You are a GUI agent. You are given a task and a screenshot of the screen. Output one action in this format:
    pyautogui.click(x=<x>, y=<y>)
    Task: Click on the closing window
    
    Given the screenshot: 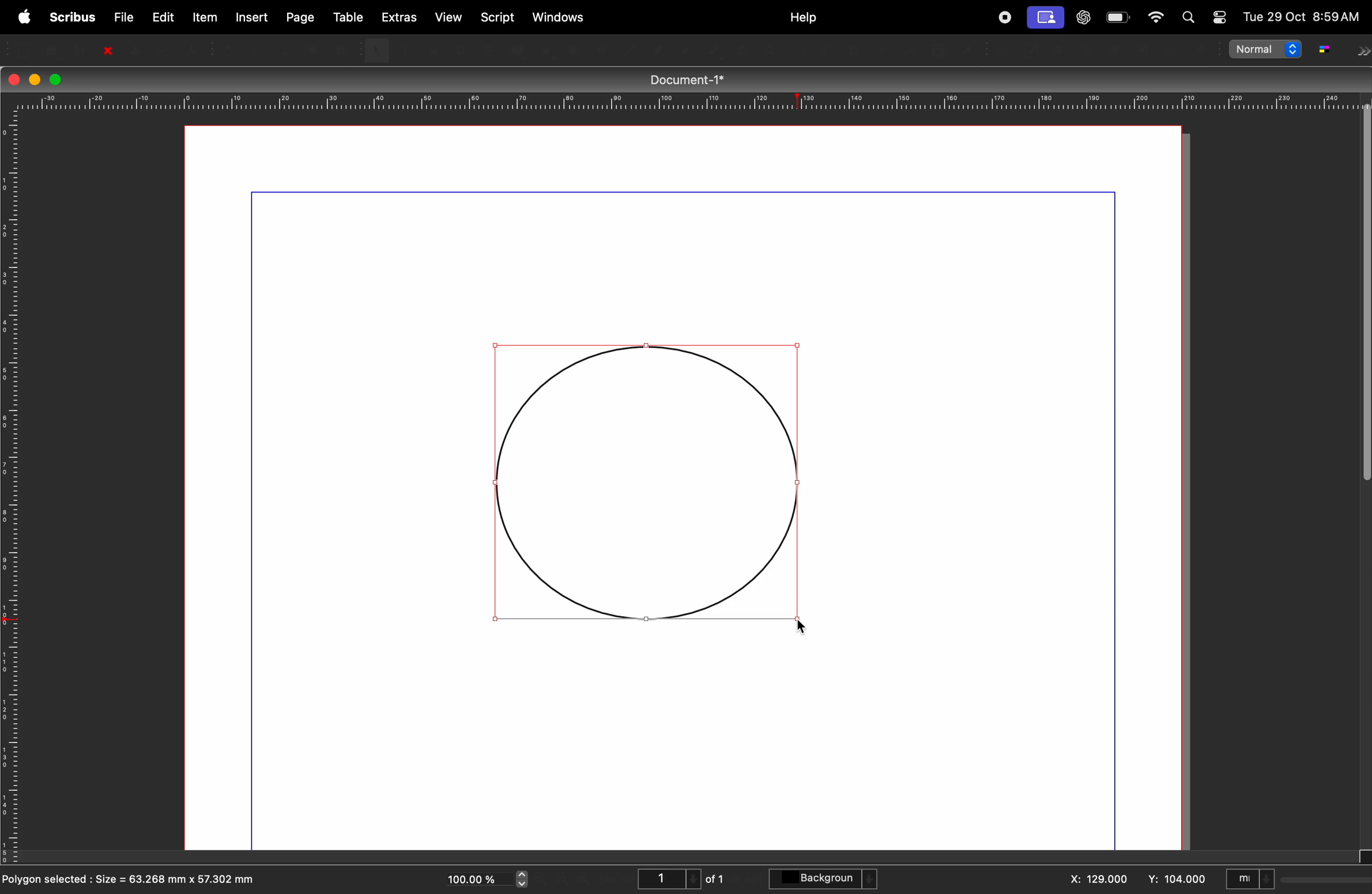 What is the action you would take?
    pyautogui.click(x=15, y=78)
    